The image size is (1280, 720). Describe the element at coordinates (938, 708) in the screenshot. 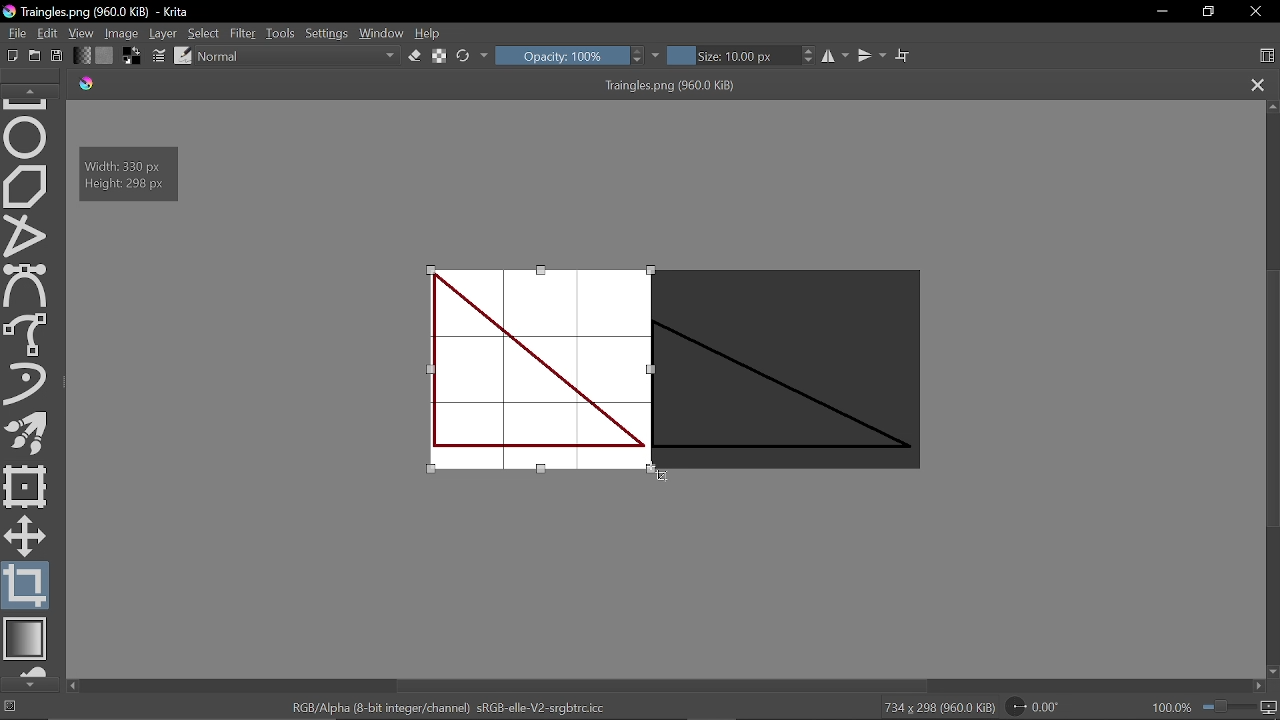

I see `734 x 298 (960.0 KiB)` at that location.